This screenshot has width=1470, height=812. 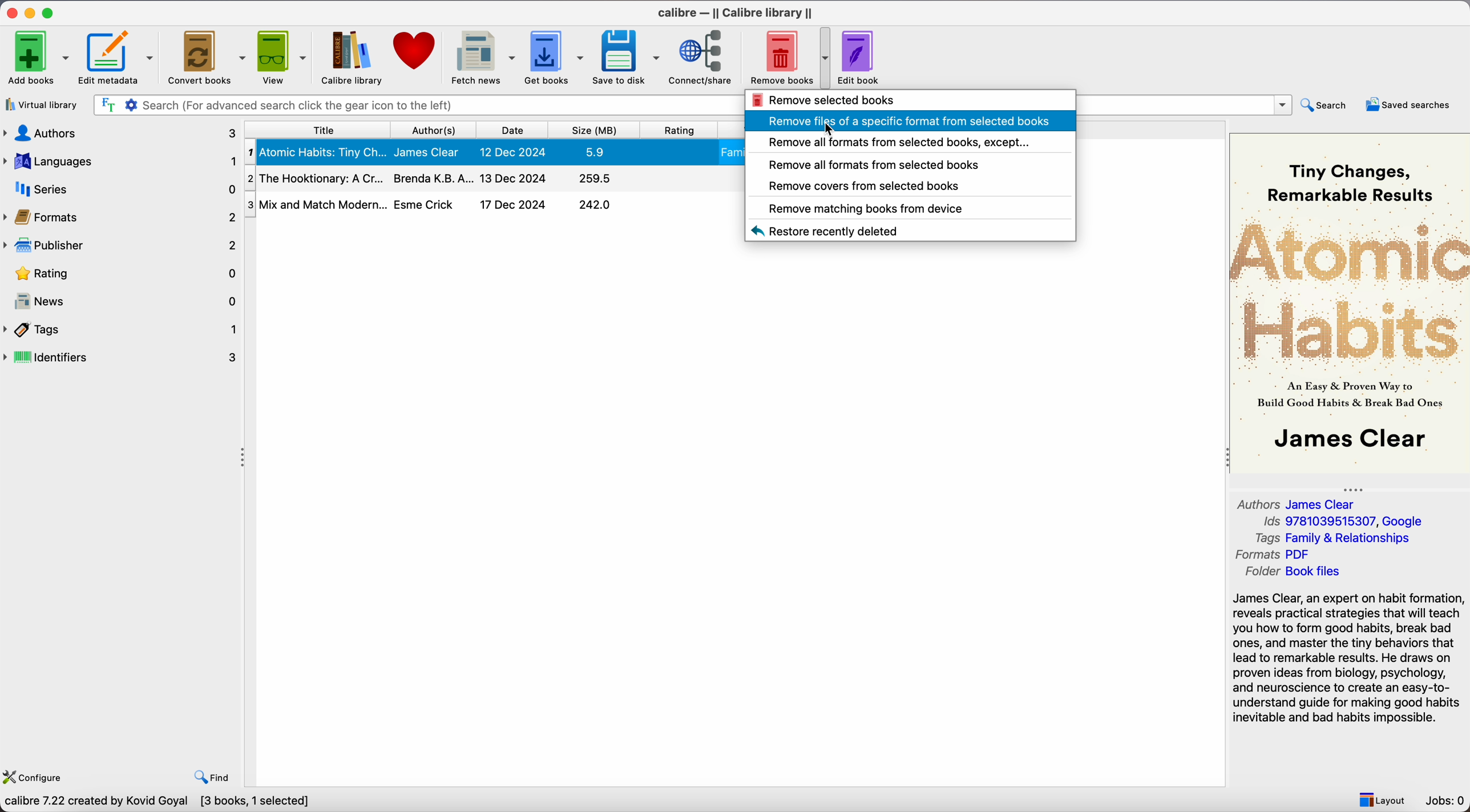 I want to click on find, so click(x=212, y=778).